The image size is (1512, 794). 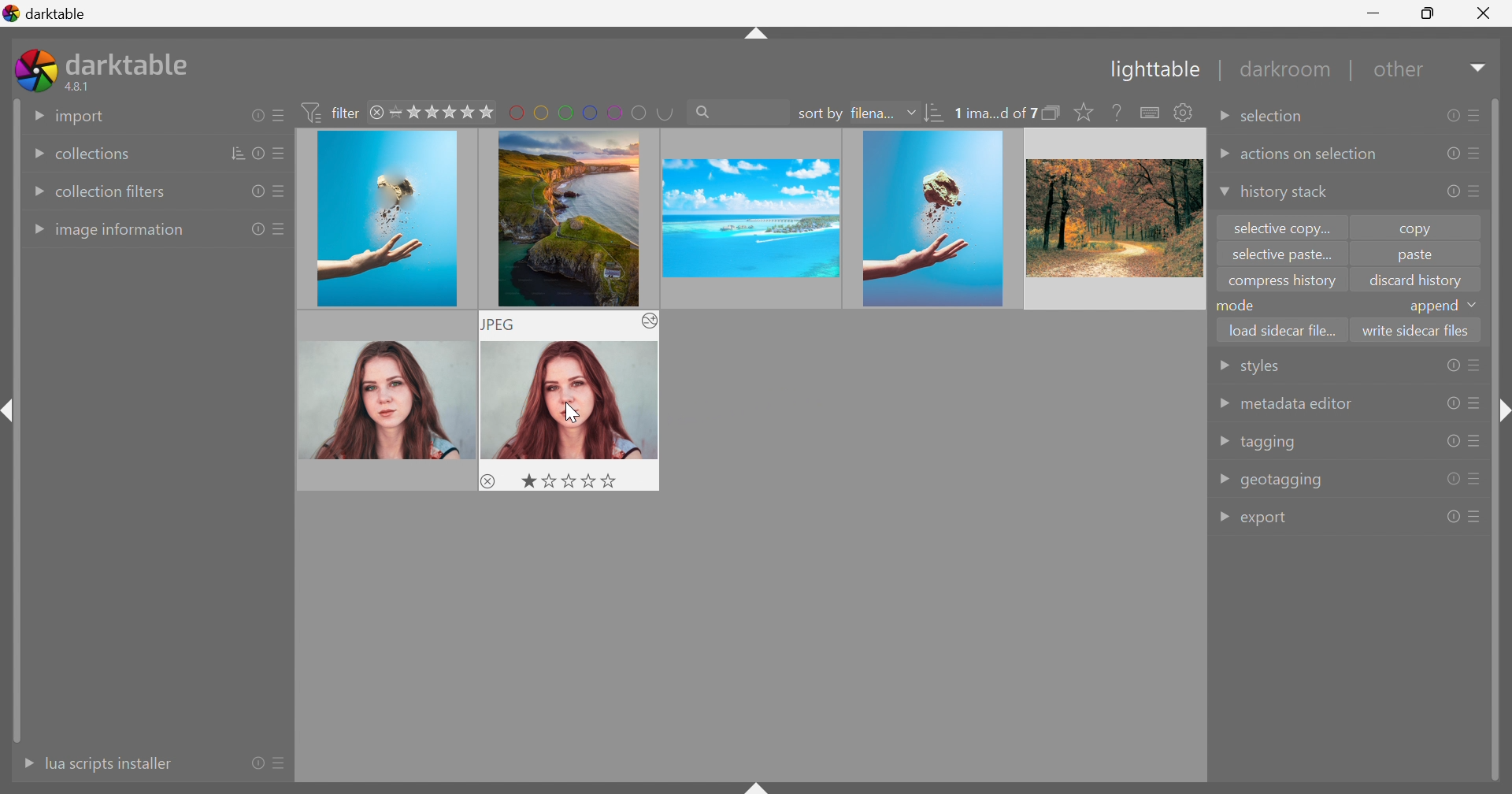 What do you see at coordinates (1501, 414) in the screenshot?
I see `shift+ctrl+r` at bounding box center [1501, 414].